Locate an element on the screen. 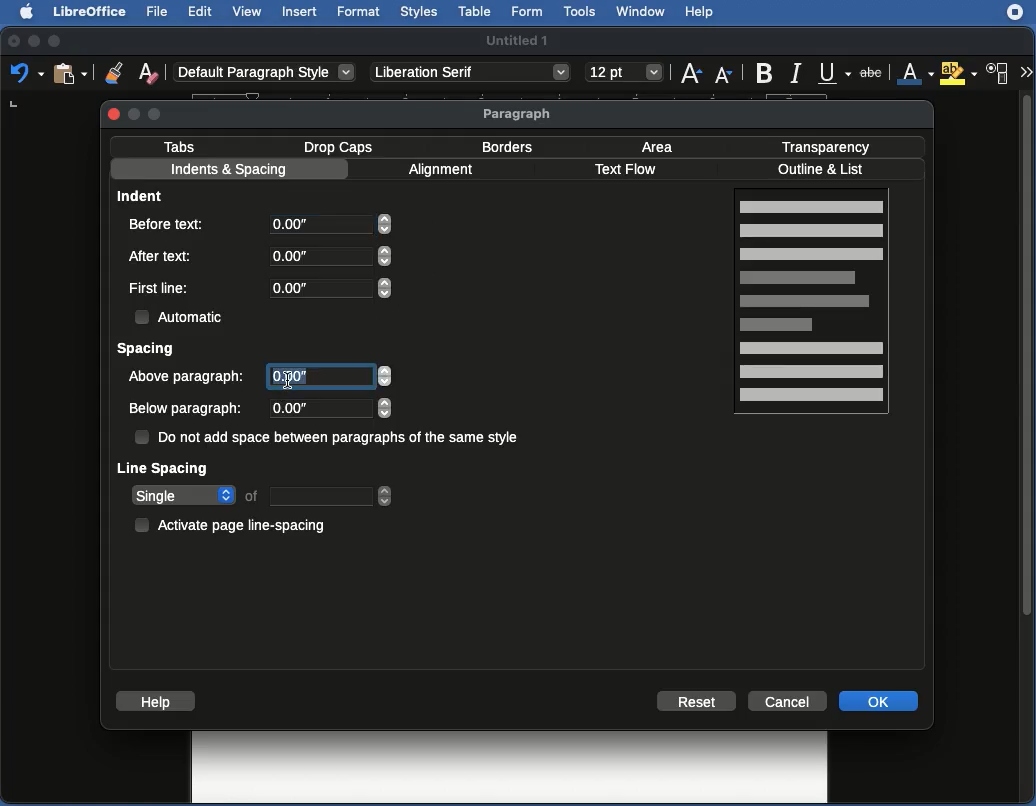 This screenshot has width=1036, height=806. Character is located at coordinates (998, 74).